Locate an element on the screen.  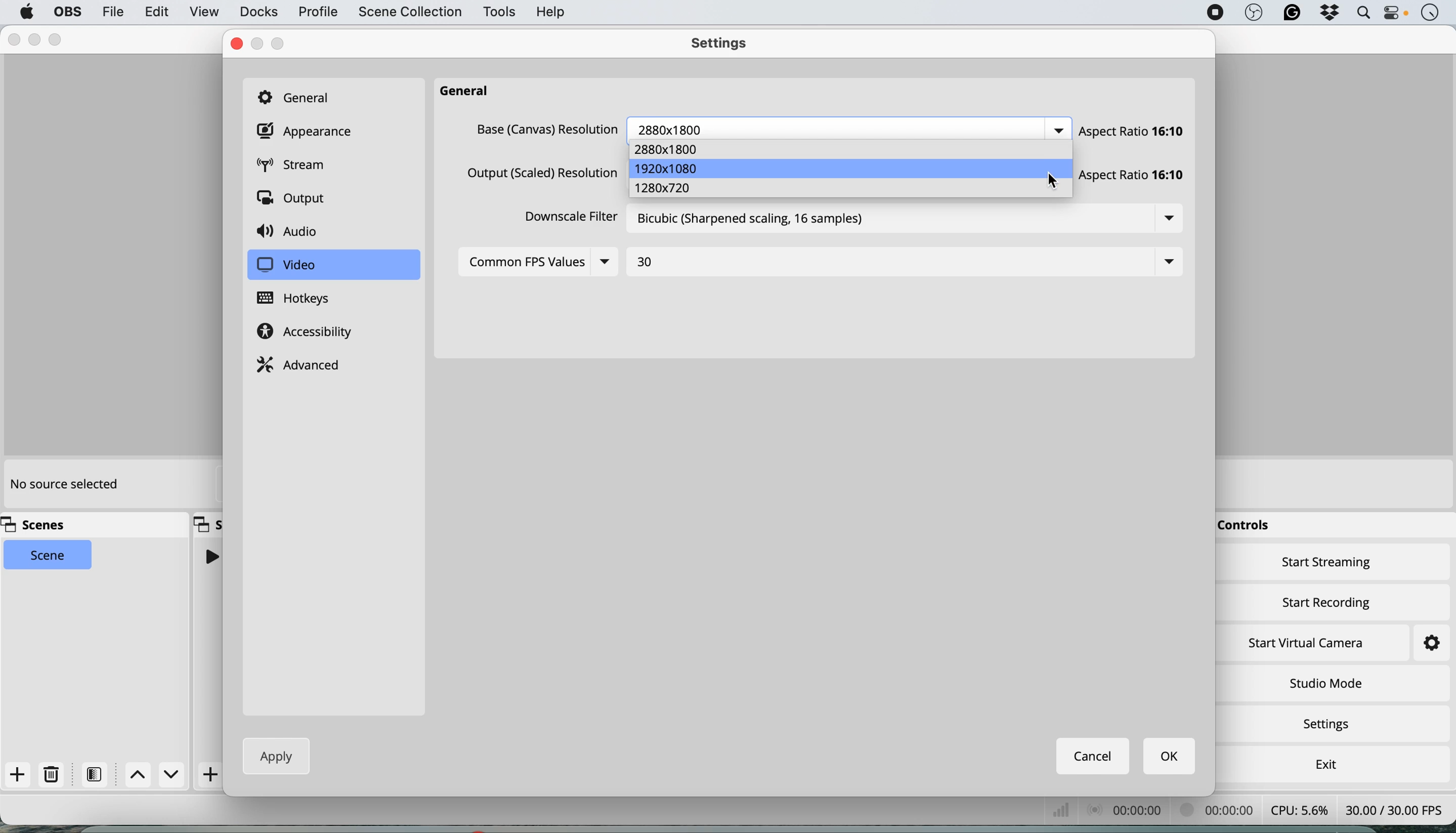
profile is located at coordinates (317, 13).